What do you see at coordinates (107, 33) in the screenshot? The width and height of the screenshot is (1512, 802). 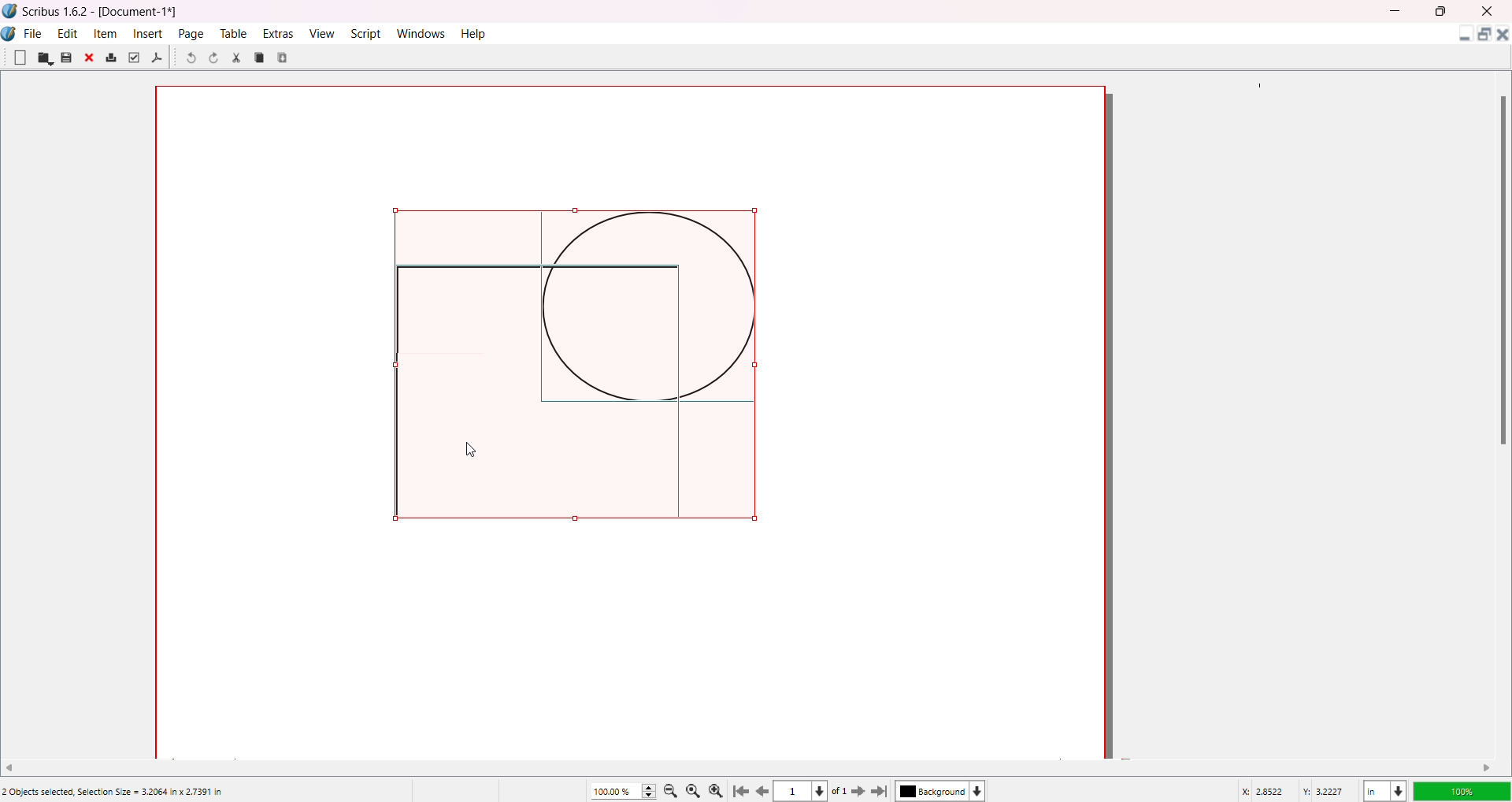 I see `Item` at bounding box center [107, 33].